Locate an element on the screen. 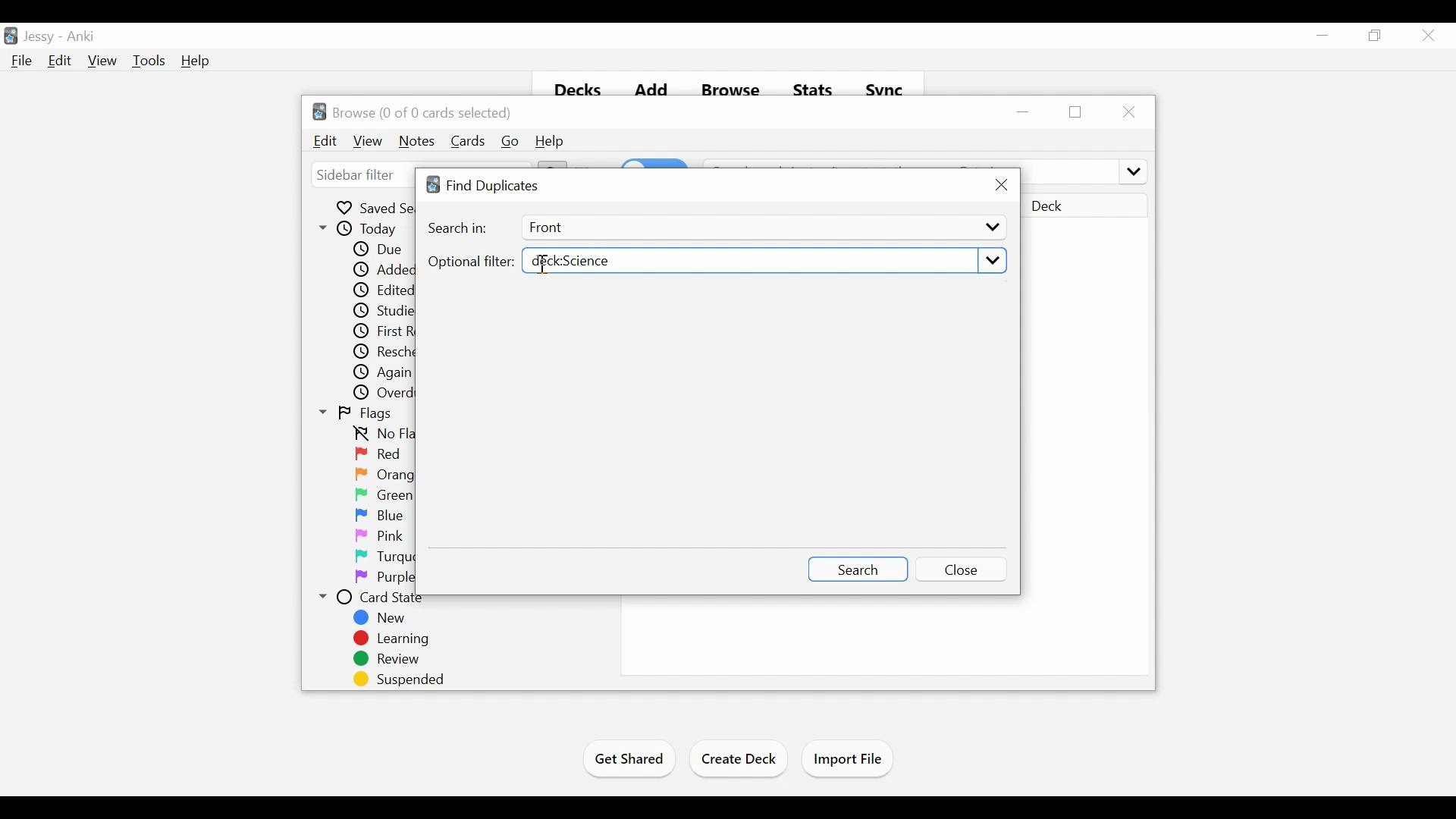 This screenshot has width=1456, height=819. Optional Filter is located at coordinates (470, 262).